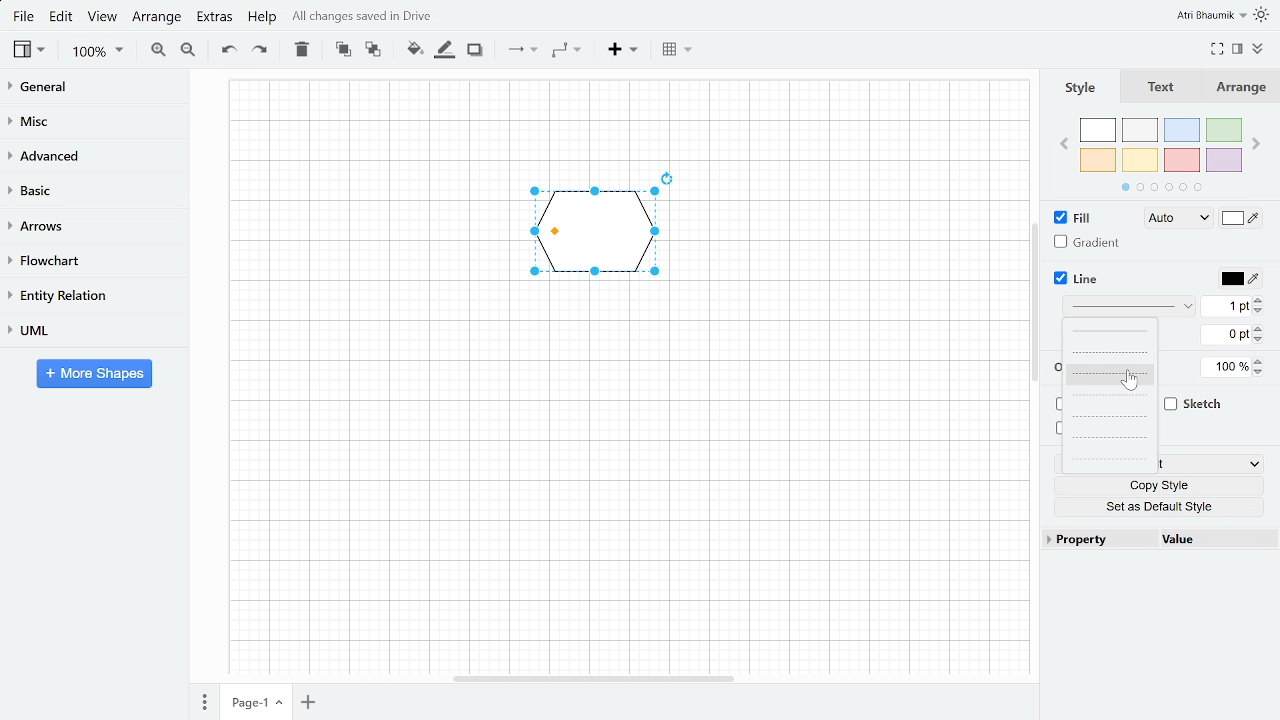  Describe the element at coordinates (519, 53) in the screenshot. I see `Connection` at that location.